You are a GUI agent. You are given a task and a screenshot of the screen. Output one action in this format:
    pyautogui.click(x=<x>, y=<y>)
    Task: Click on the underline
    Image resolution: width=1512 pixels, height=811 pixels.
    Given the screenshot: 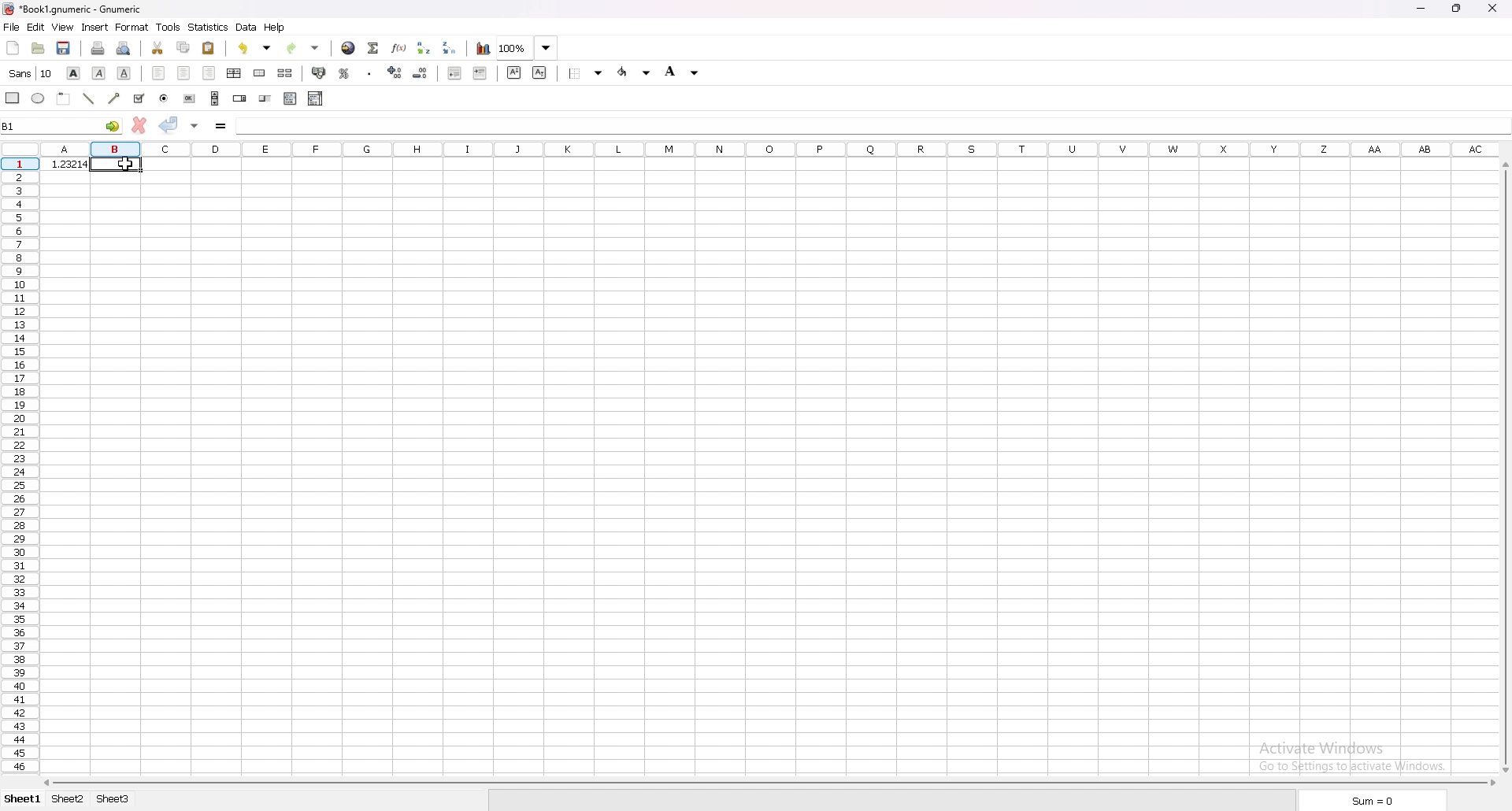 What is the action you would take?
    pyautogui.click(x=124, y=72)
    